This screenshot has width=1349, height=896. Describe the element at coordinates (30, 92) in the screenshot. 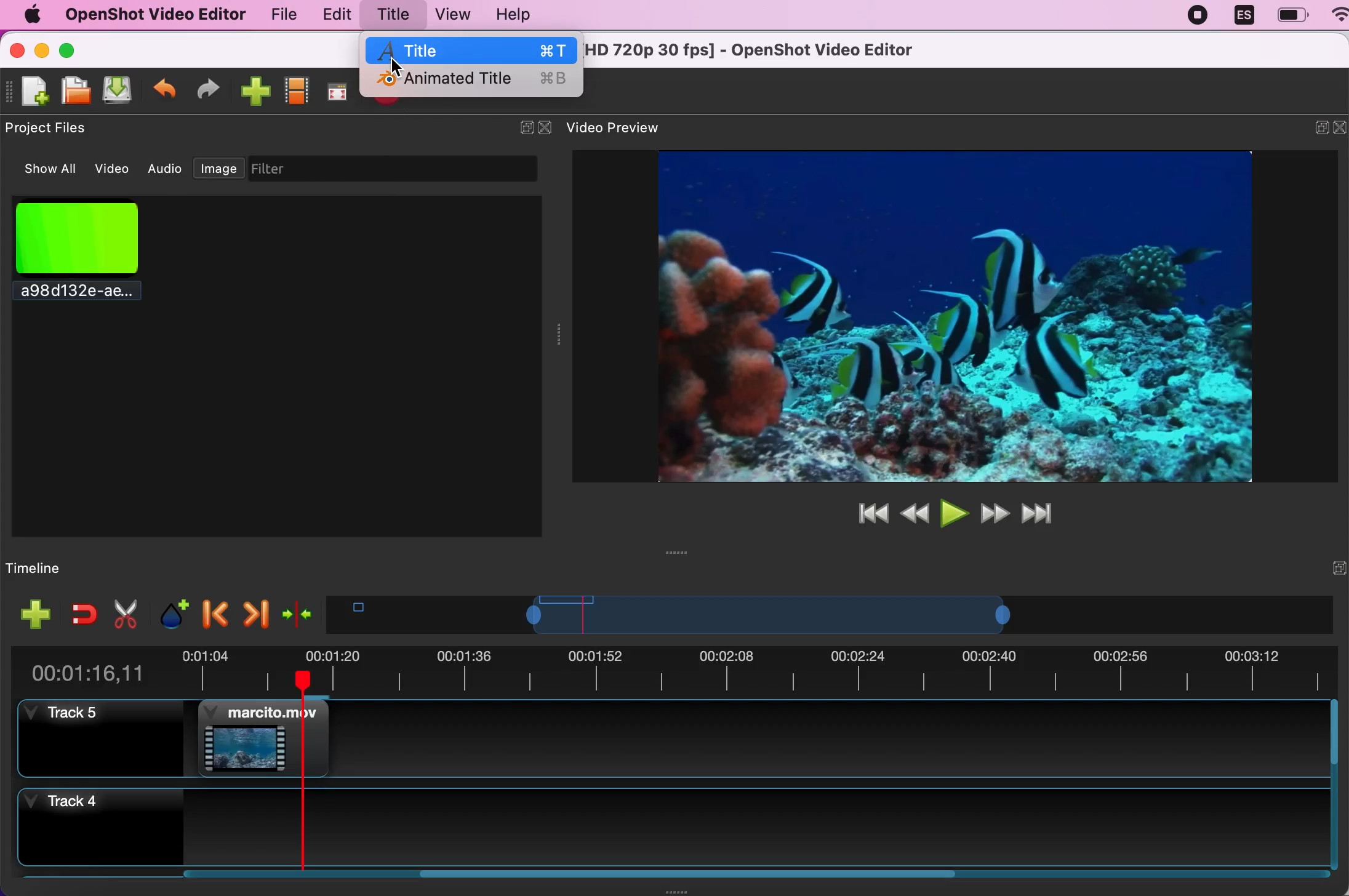

I see `new file` at that location.